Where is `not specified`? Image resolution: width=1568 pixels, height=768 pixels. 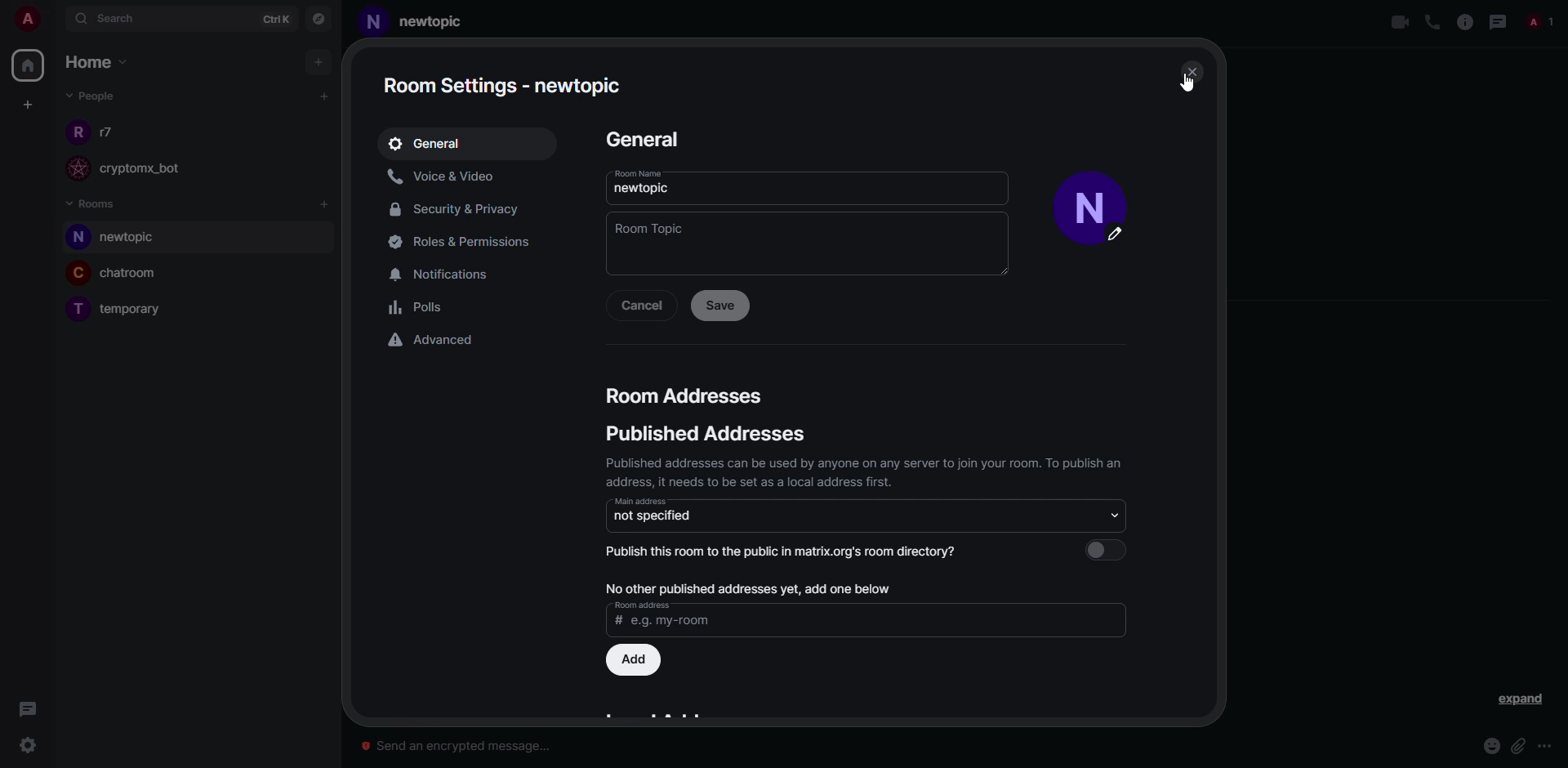 not specified is located at coordinates (654, 516).